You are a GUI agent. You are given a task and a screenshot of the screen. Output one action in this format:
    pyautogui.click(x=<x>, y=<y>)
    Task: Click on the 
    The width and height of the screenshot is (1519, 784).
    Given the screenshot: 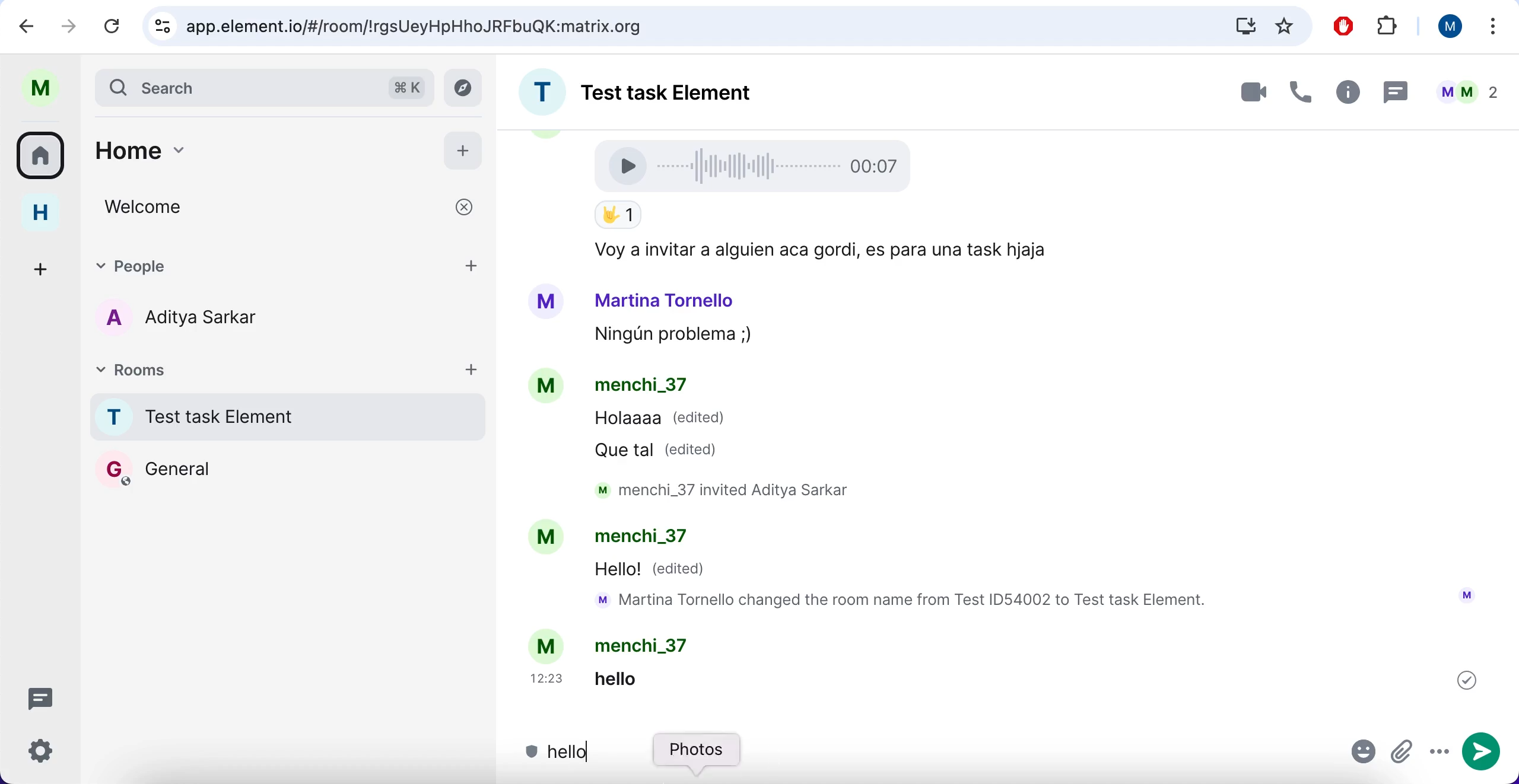 What is the action you would take?
    pyautogui.click(x=1467, y=680)
    